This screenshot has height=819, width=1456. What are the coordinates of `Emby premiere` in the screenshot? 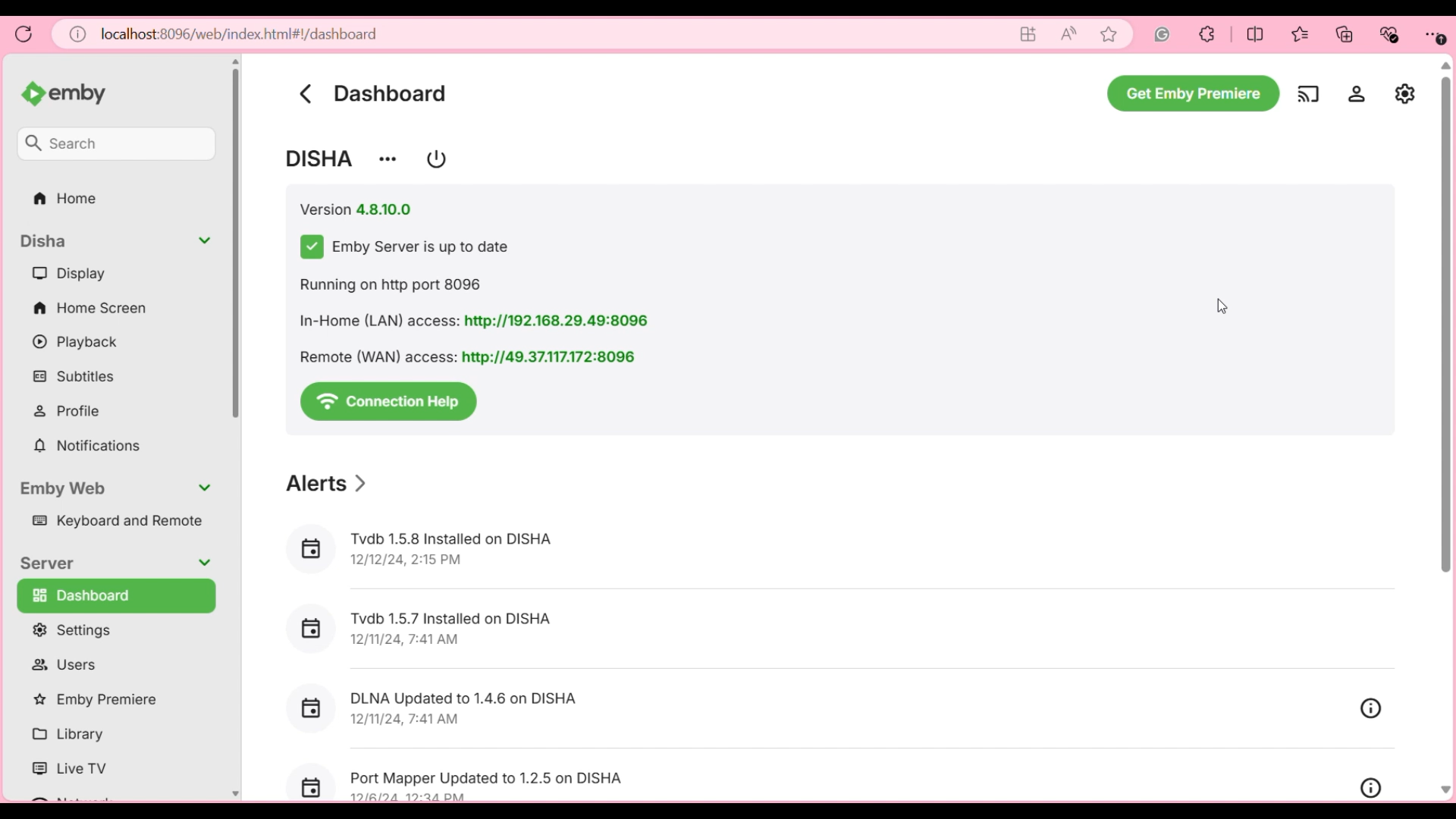 It's located at (110, 700).